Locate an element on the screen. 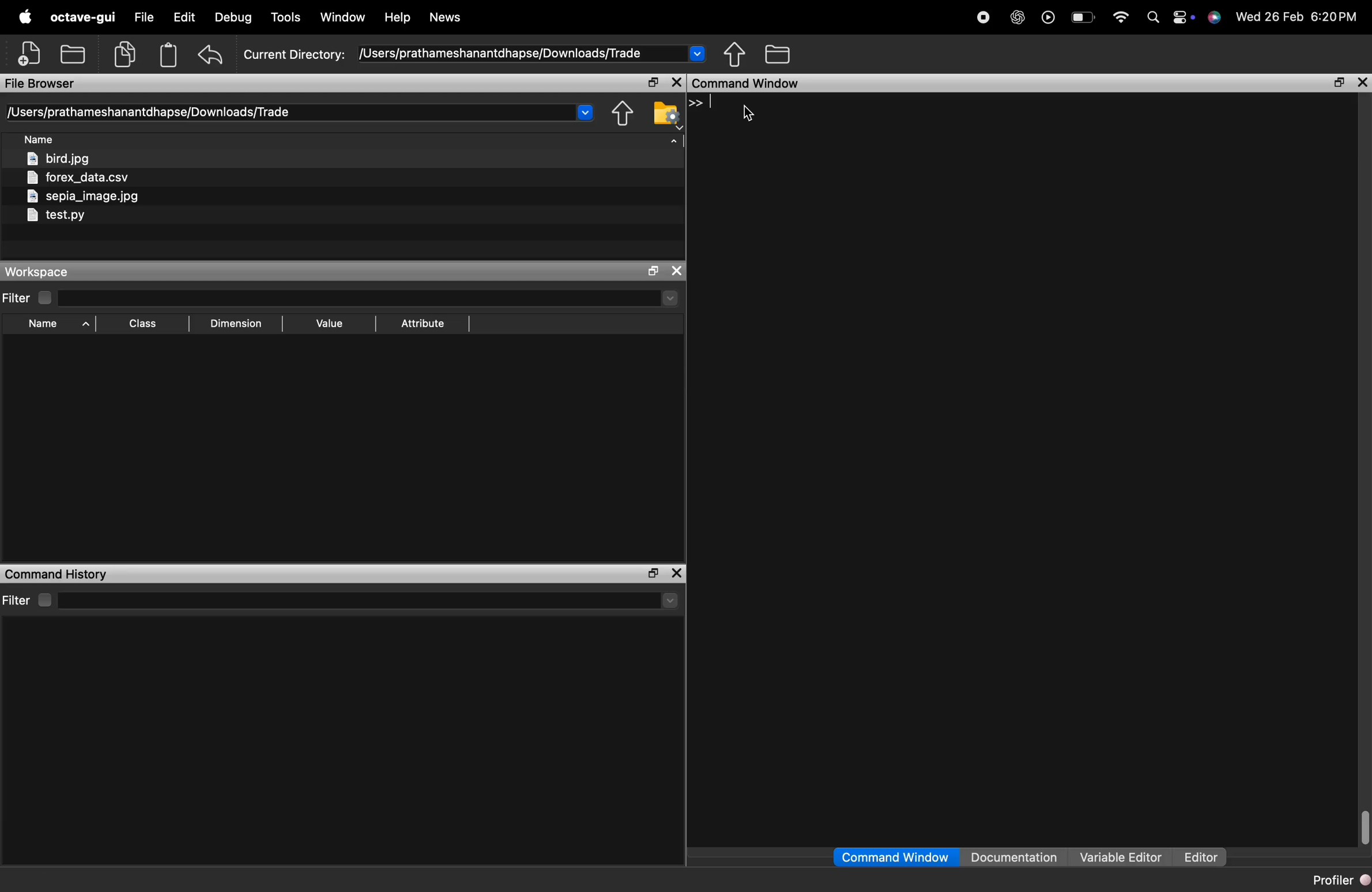  close is located at coordinates (676, 83).